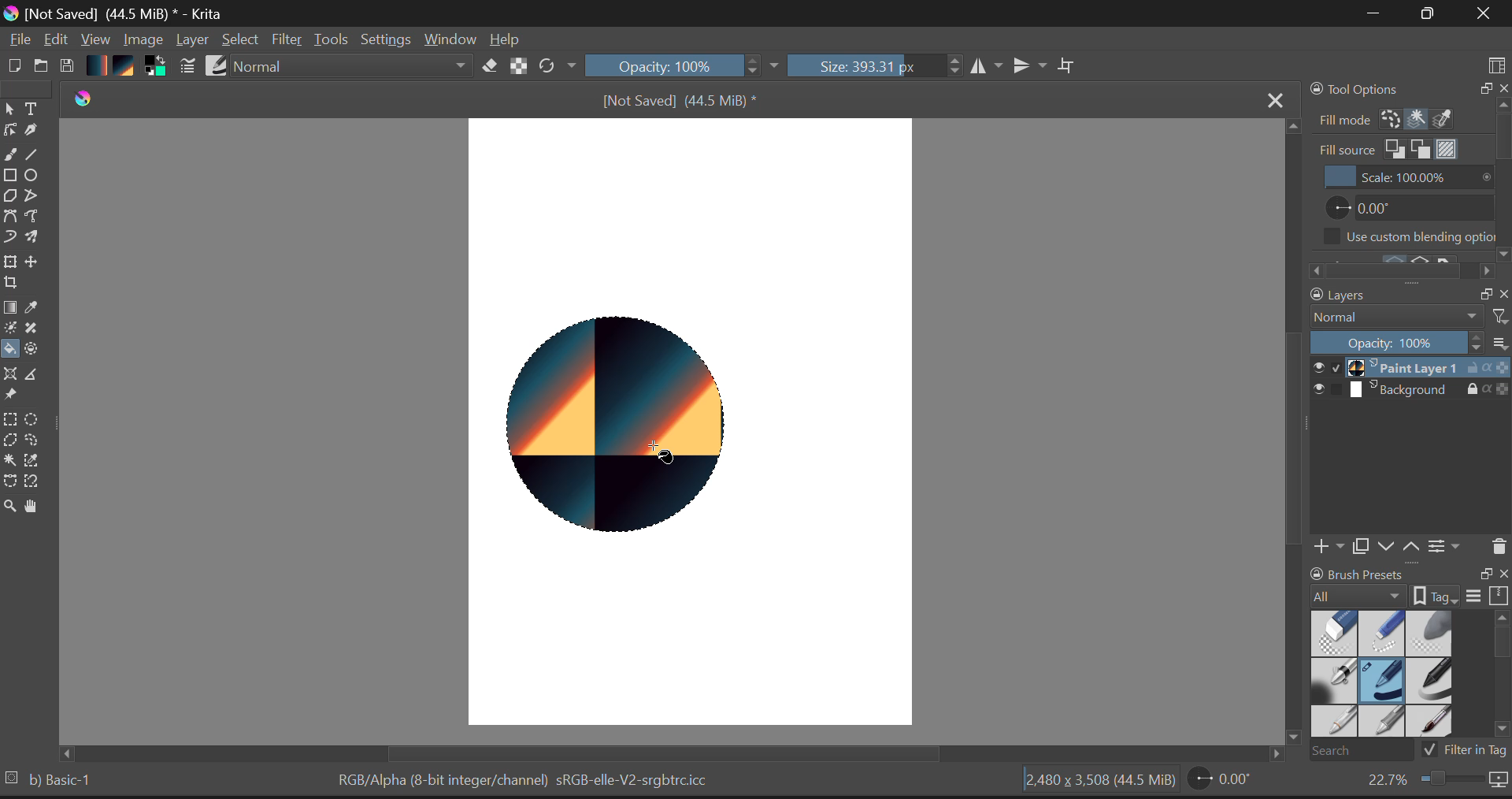  Describe the element at coordinates (186, 66) in the screenshot. I see `Brush Stroke Settings` at that location.